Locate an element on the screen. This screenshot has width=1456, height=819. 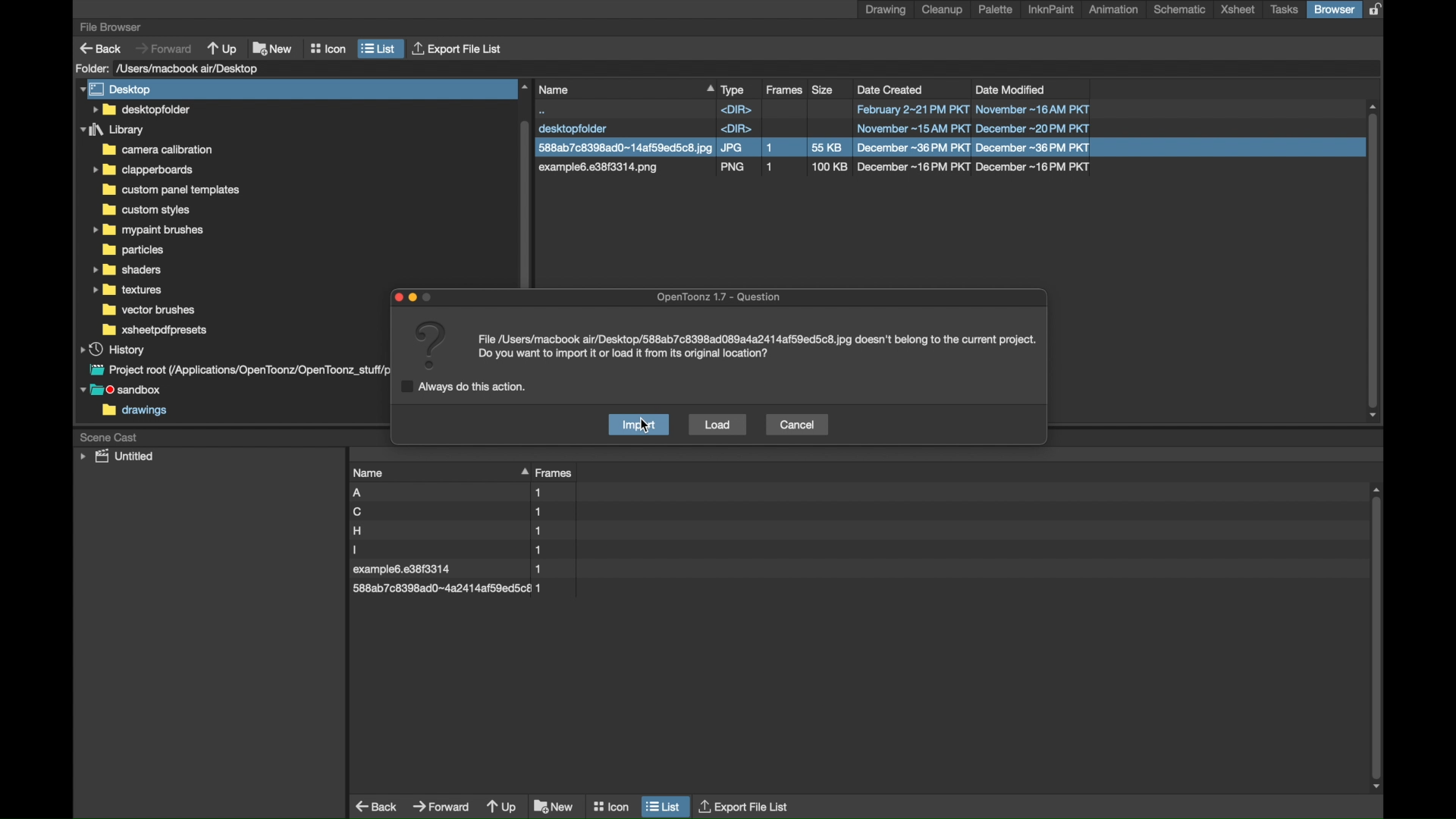
file is located at coordinates (815, 148).